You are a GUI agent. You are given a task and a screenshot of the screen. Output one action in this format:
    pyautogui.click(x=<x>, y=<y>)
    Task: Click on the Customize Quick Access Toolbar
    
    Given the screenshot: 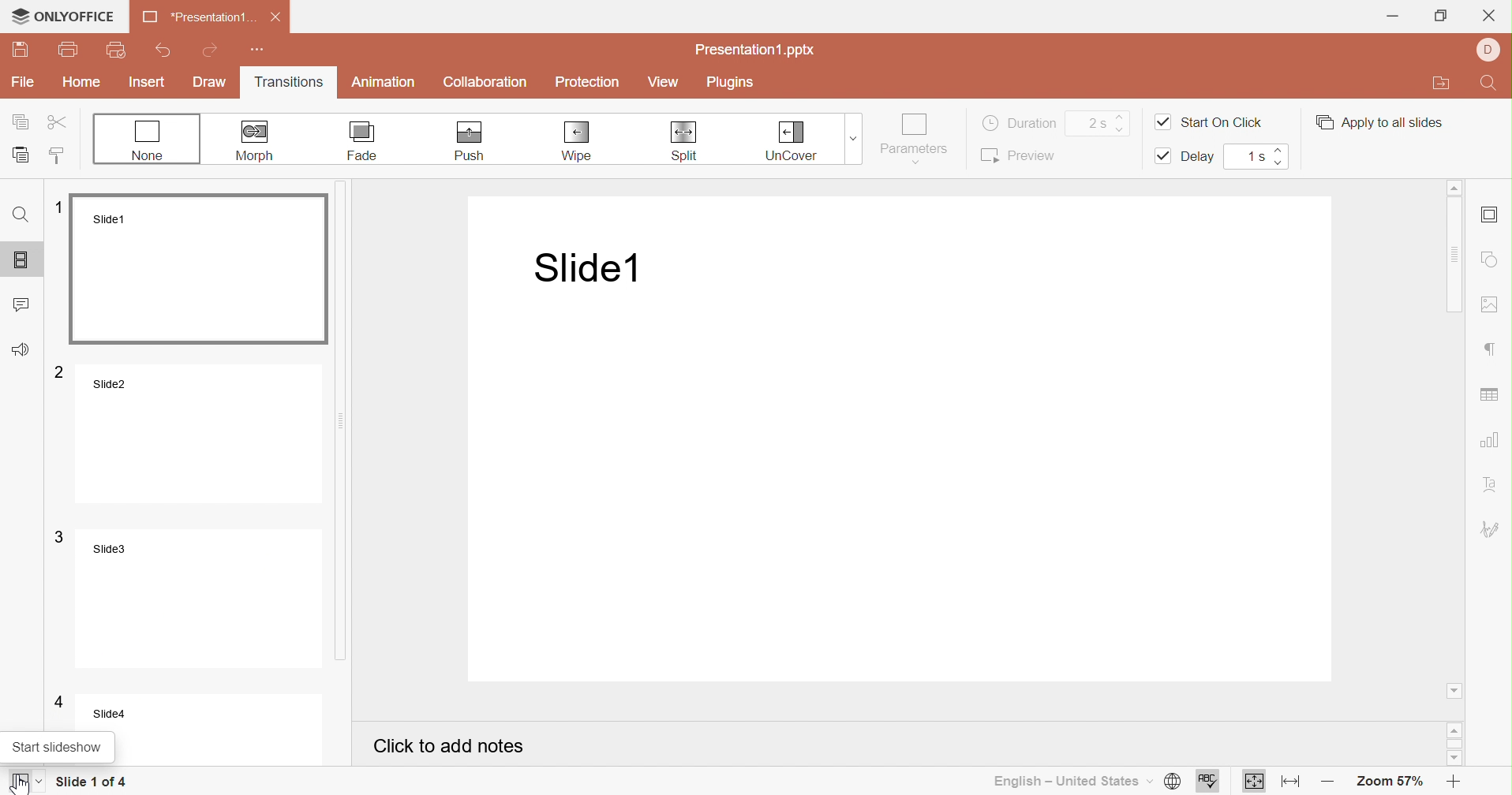 What is the action you would take?
    pyautogui.click(x=259, y=50)
    